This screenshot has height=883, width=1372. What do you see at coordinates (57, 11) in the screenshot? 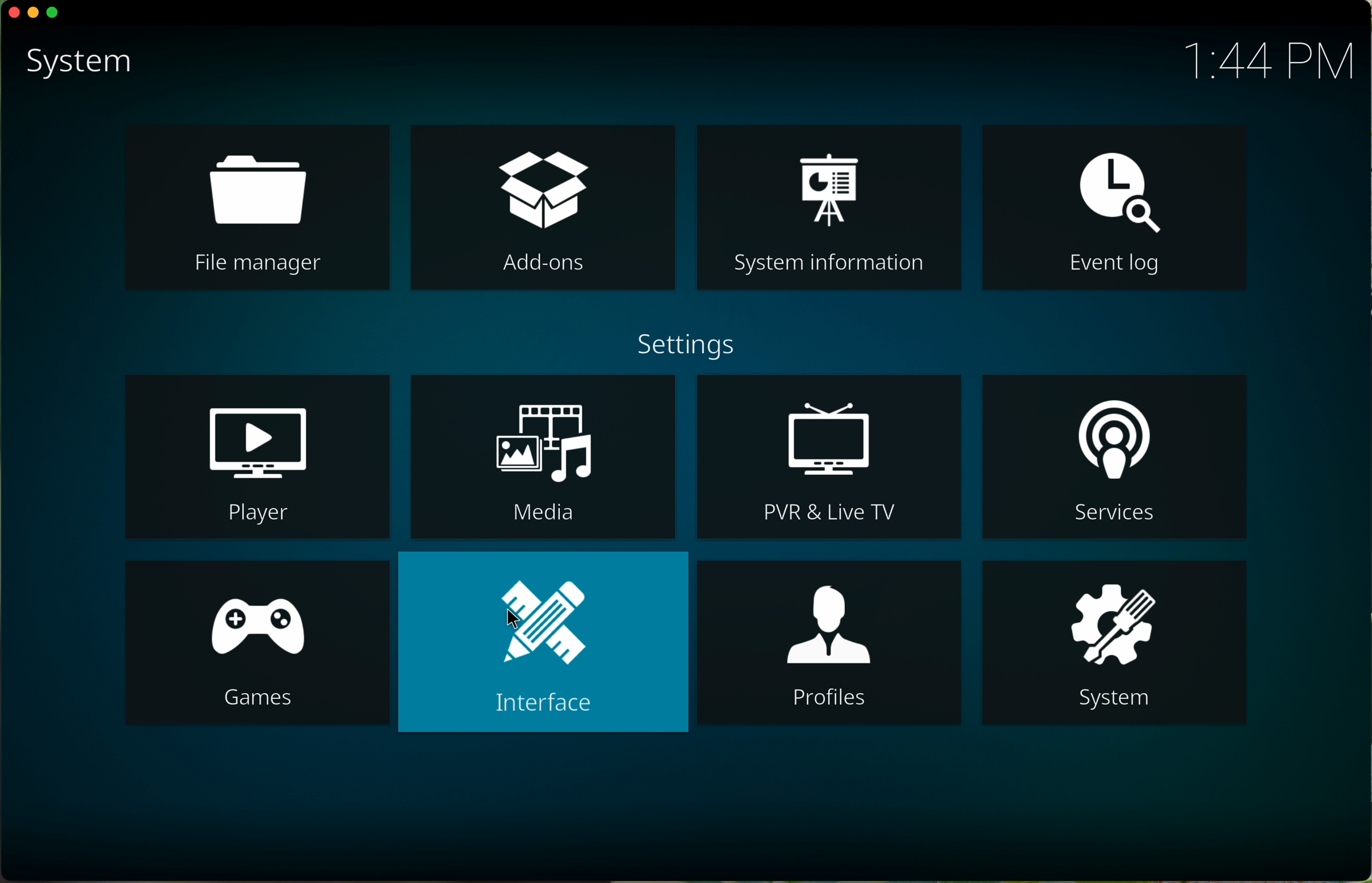
I see `maximize` at bounding box center [57, 11].